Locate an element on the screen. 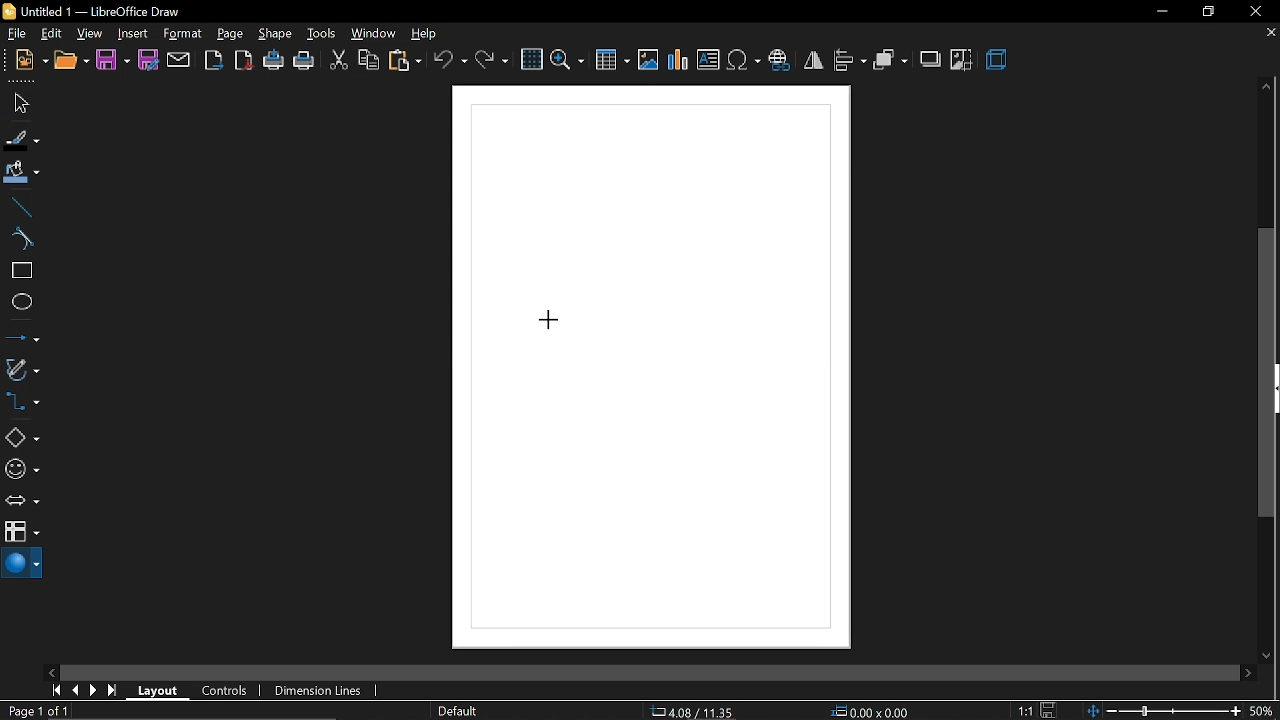 The image size is (1280, 720). shadow is located at coordinates (930, 61).